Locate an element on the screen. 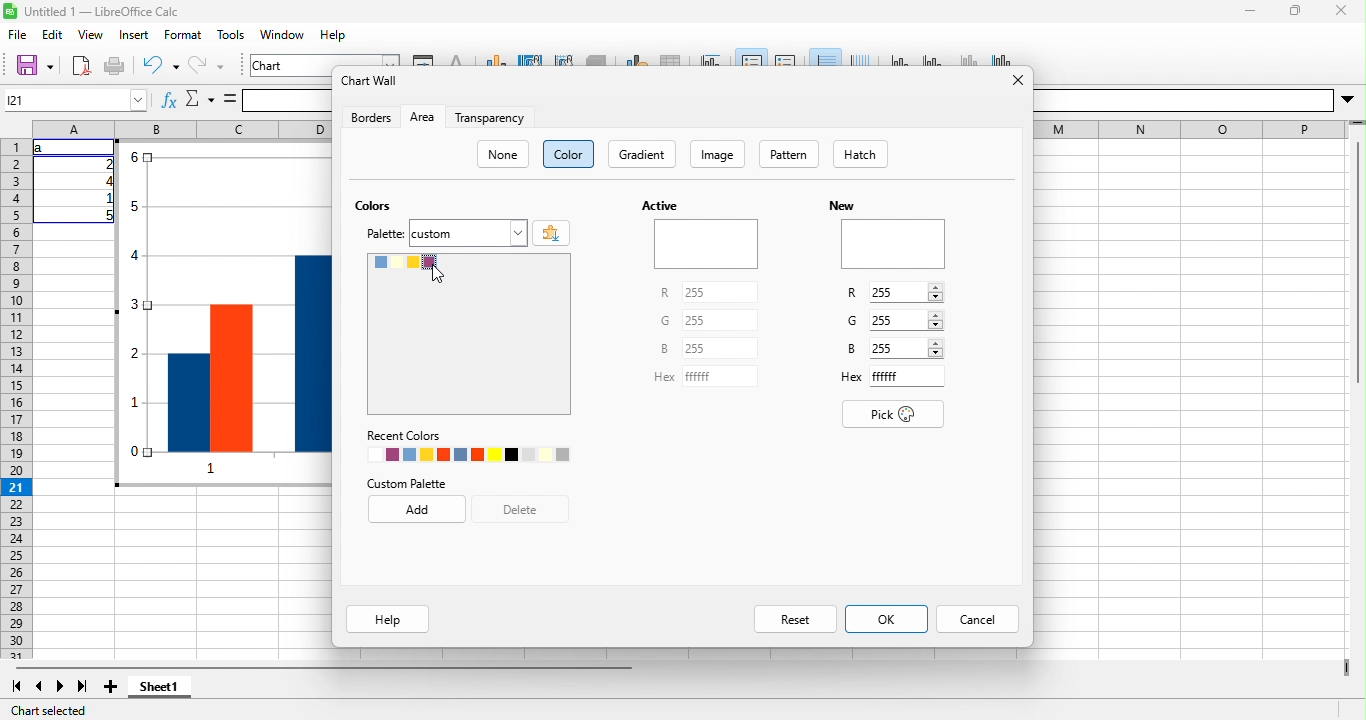  Increase decrease R value is located at coordinates (936, 292).